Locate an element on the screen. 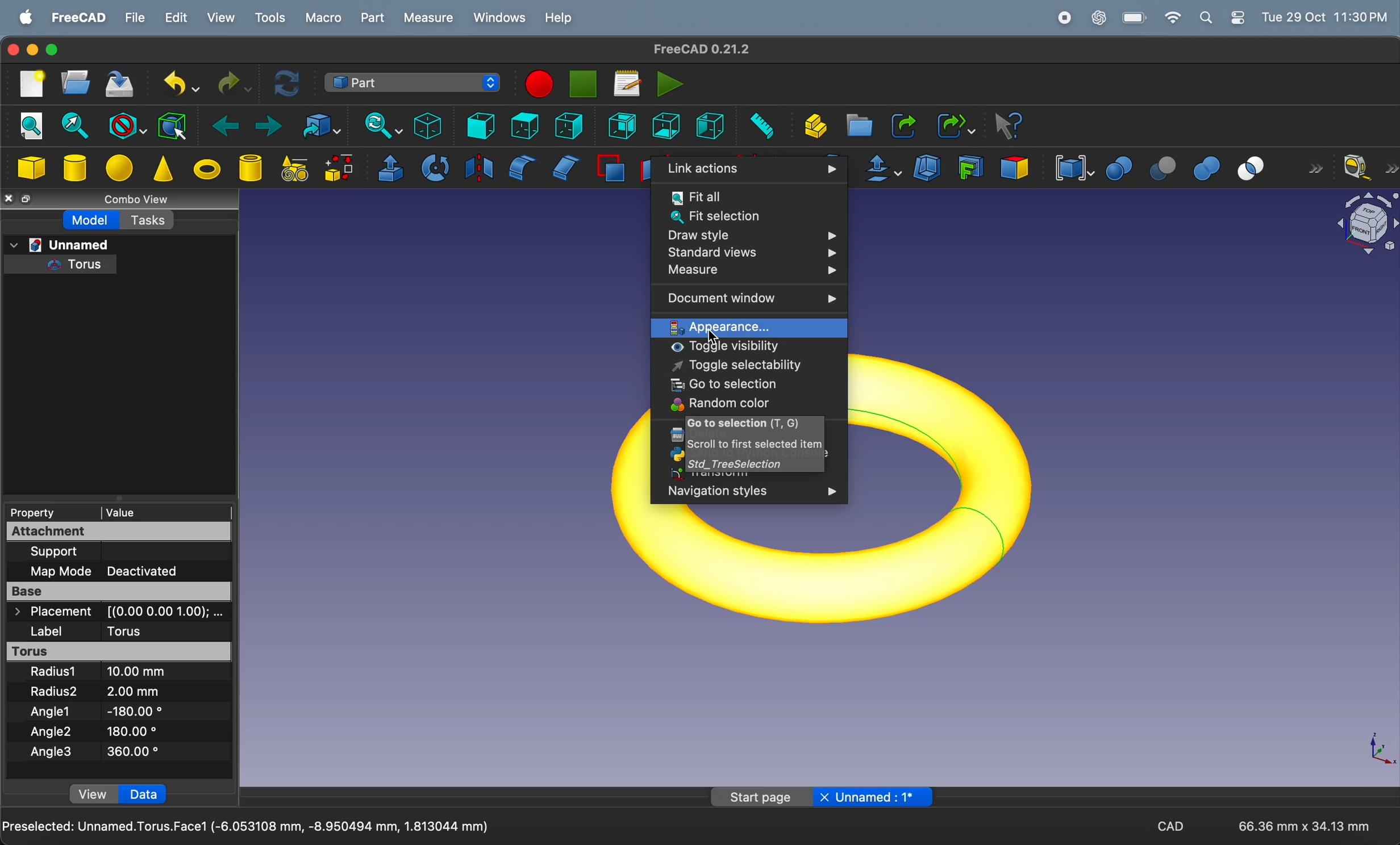 The image size is (1400, 845). radius 1 is located at coordinates (56, 672).